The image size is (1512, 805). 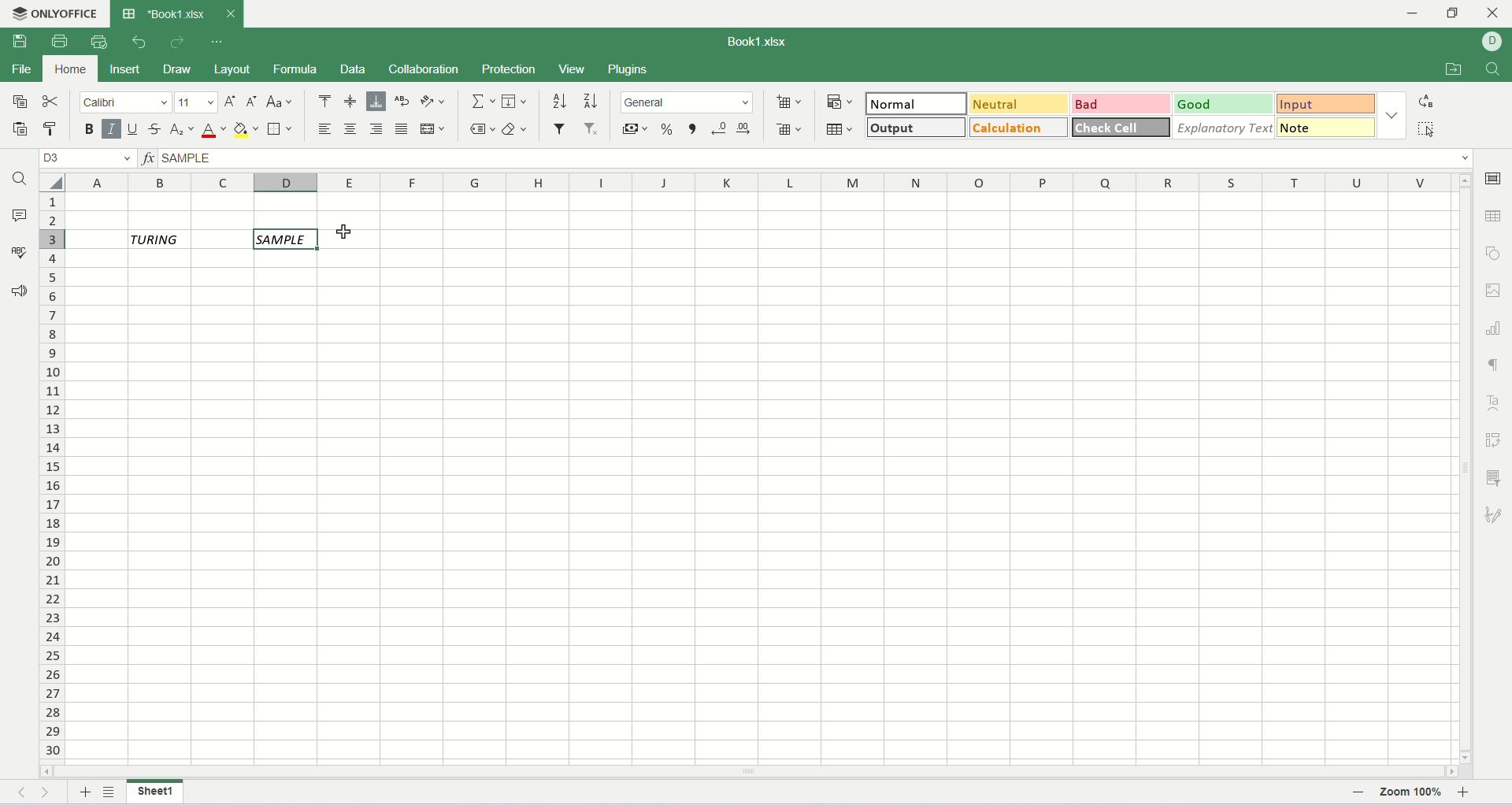 I want to click on paragraph settings, so click(x=1495, y=365).